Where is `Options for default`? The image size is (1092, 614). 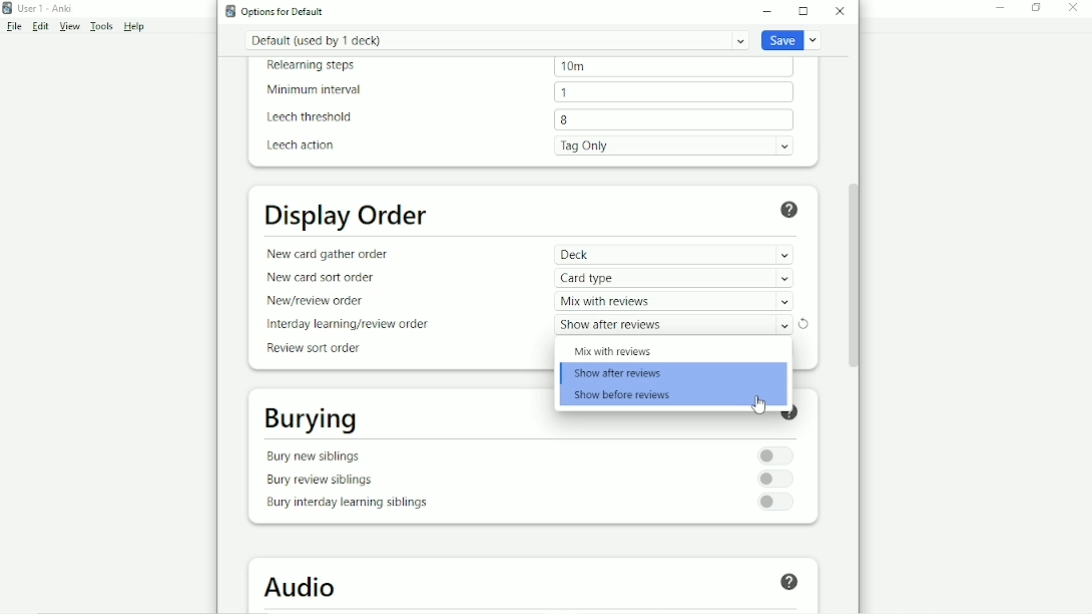
Options for default is located at coordinates (282, 11).